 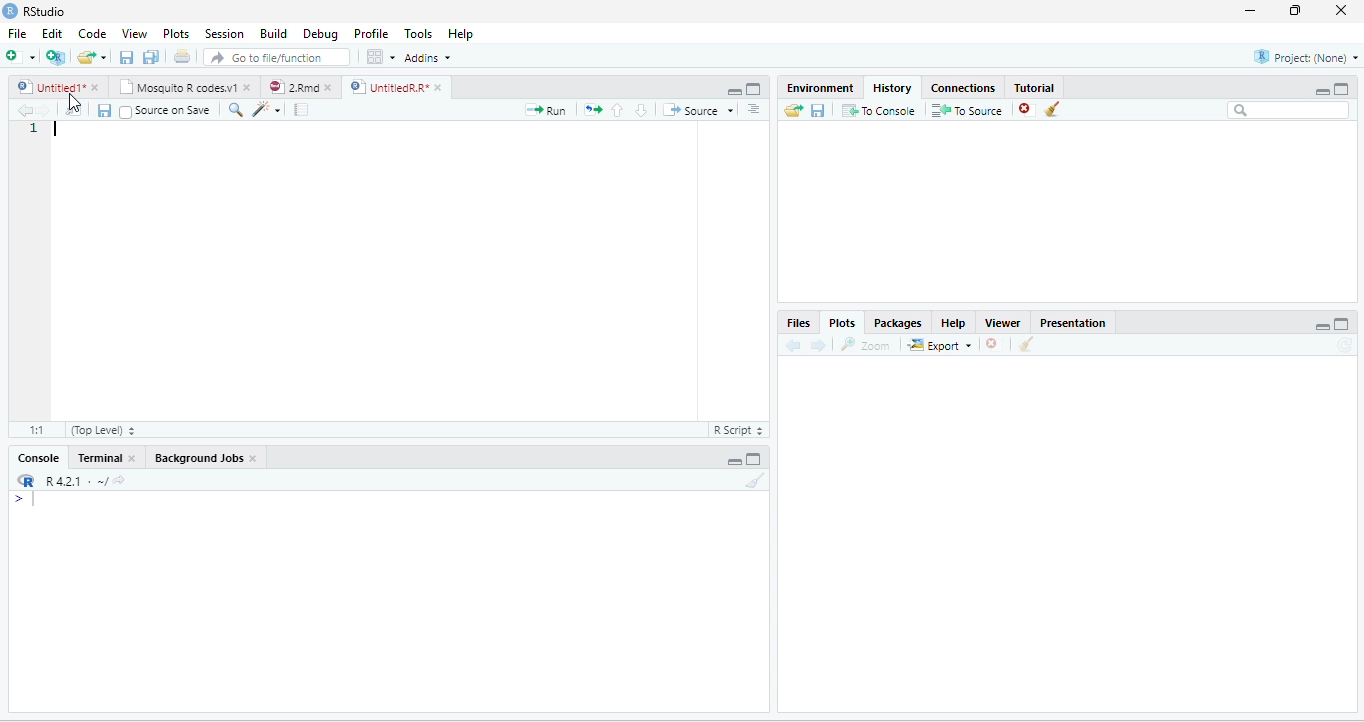 What do you see at coordinates (820, 88) in the screenshot?
I see `Environment` at bounding box center [820, 88].